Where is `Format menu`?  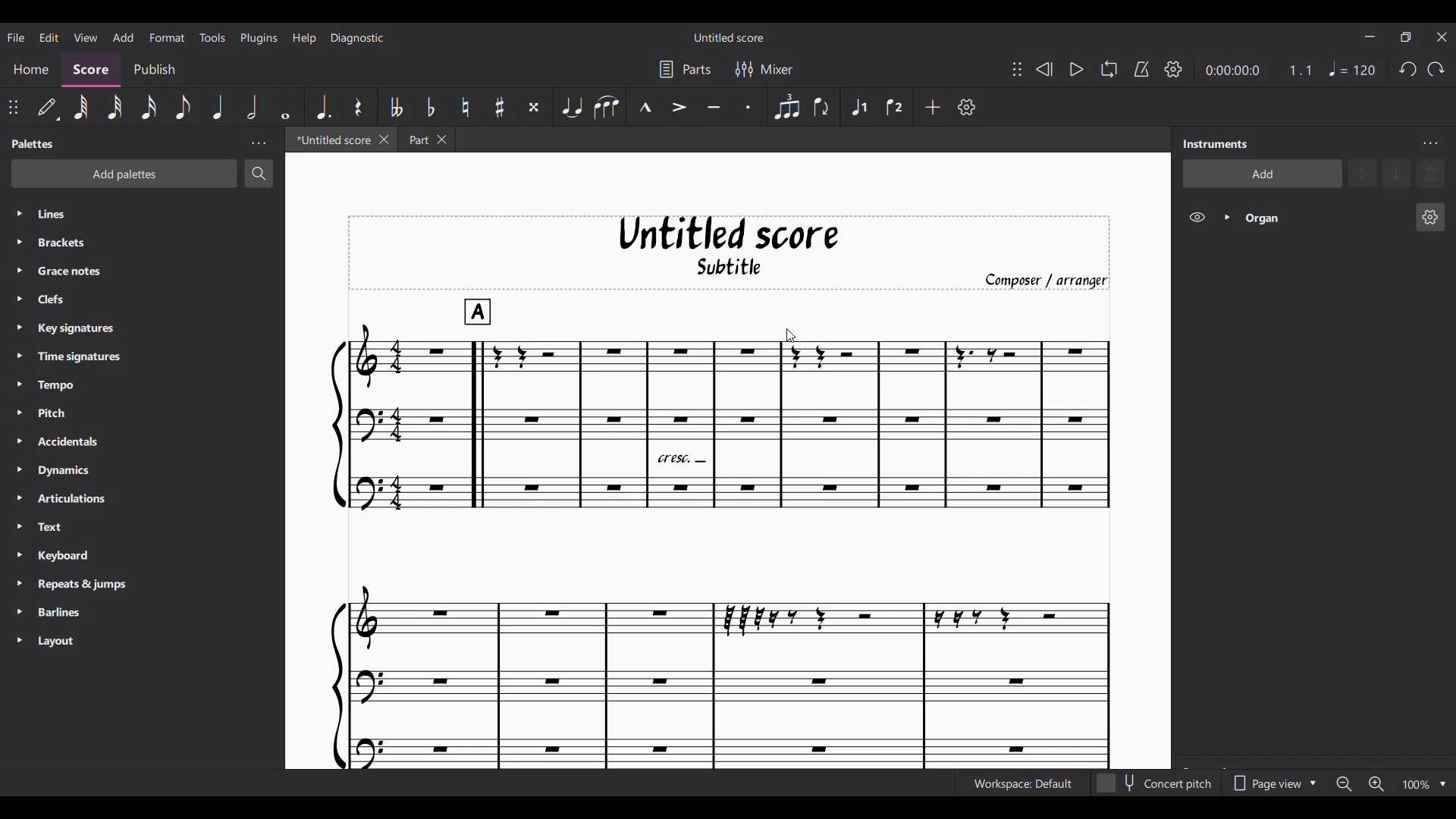 Format menu is located at coordinates (166, 35).